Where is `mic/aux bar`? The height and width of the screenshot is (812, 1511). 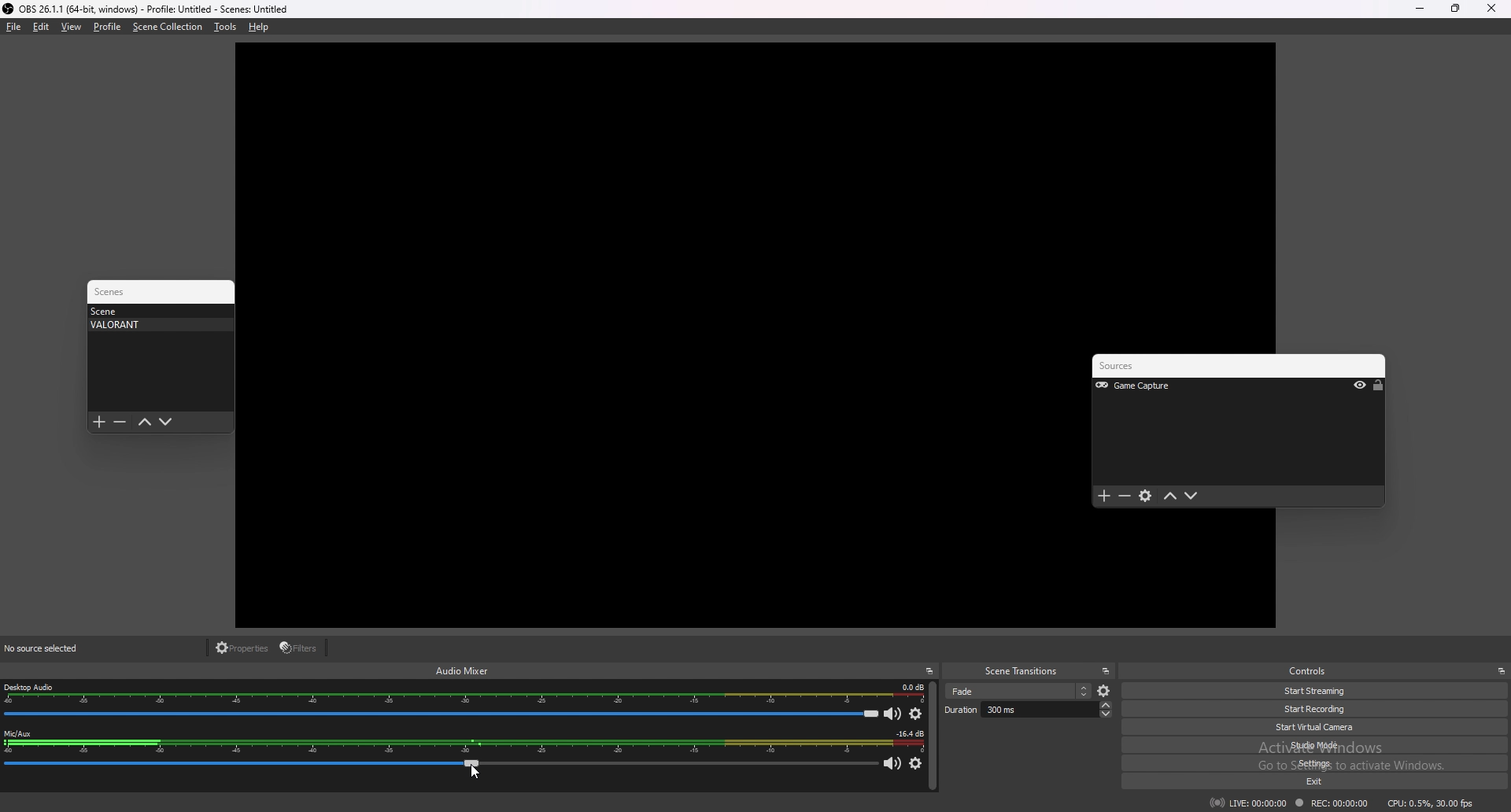
mic/aux bar is located at coordinates (441, 767).